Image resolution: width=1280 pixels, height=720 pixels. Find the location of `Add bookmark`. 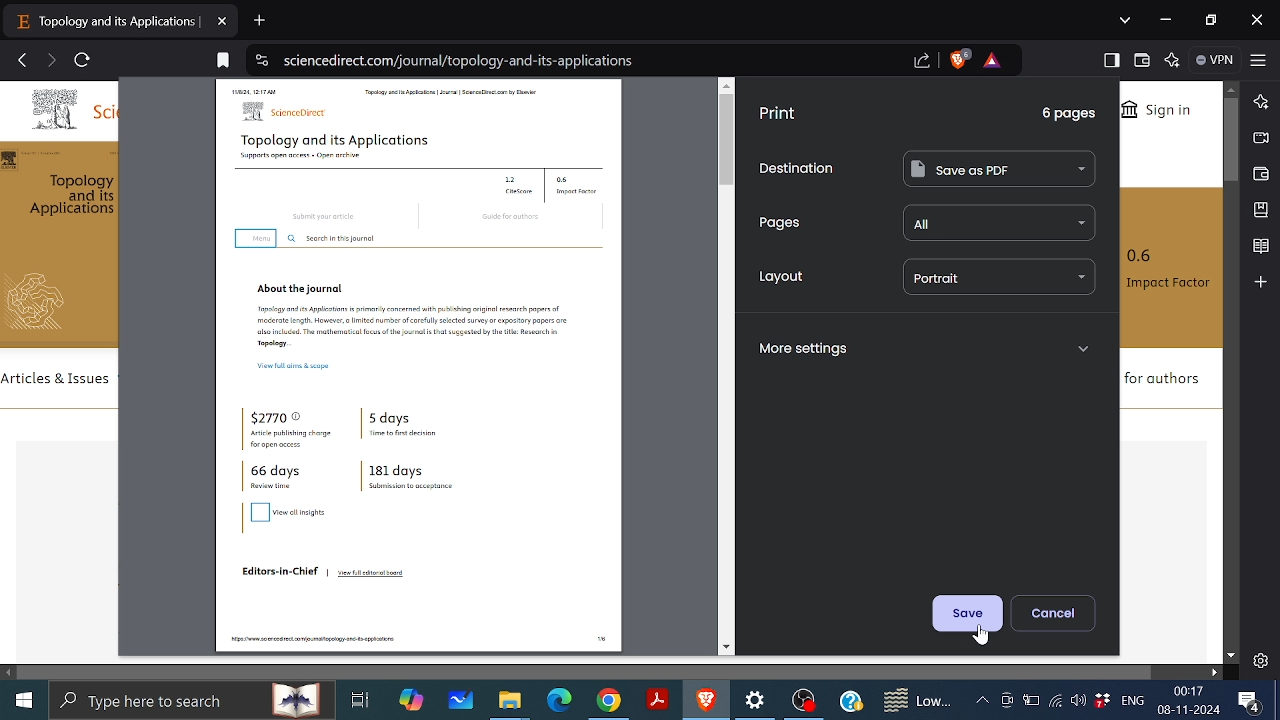

Add bookmark is located at coordinates (1261, 210).